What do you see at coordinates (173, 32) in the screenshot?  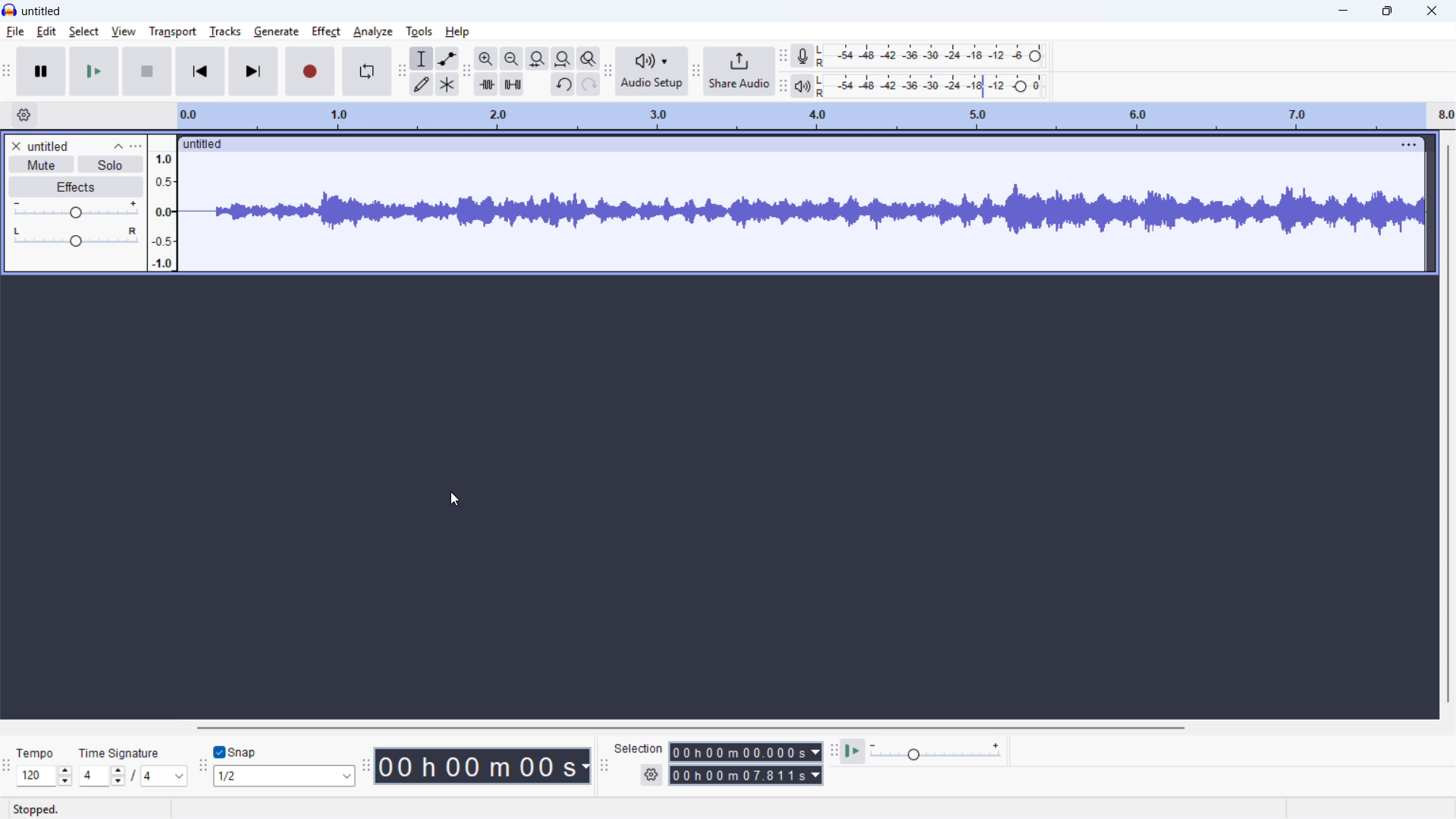 I see `transport` at bounding box center [173, 32].